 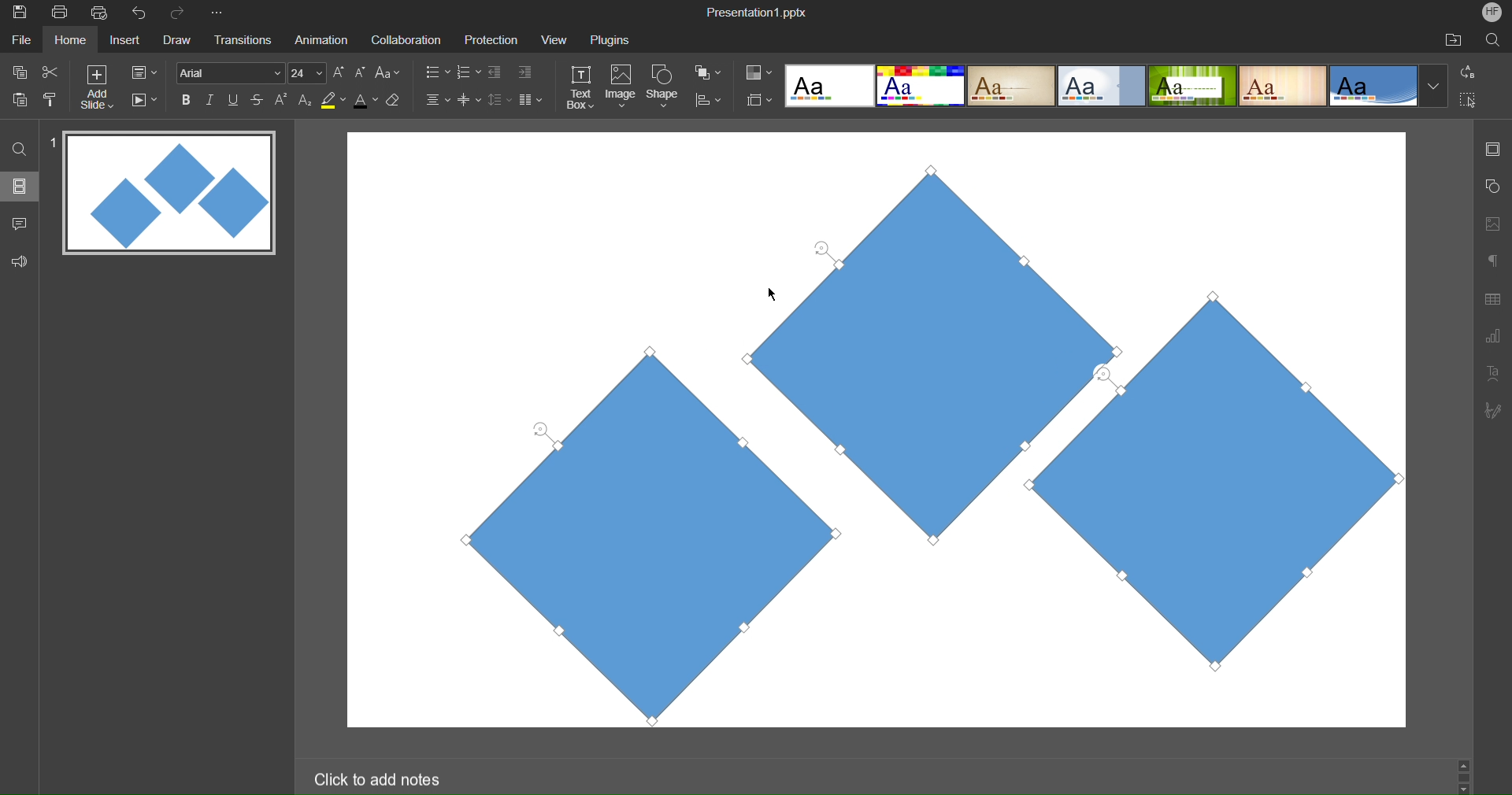 I want to click on support, so click(x=24, y=260).